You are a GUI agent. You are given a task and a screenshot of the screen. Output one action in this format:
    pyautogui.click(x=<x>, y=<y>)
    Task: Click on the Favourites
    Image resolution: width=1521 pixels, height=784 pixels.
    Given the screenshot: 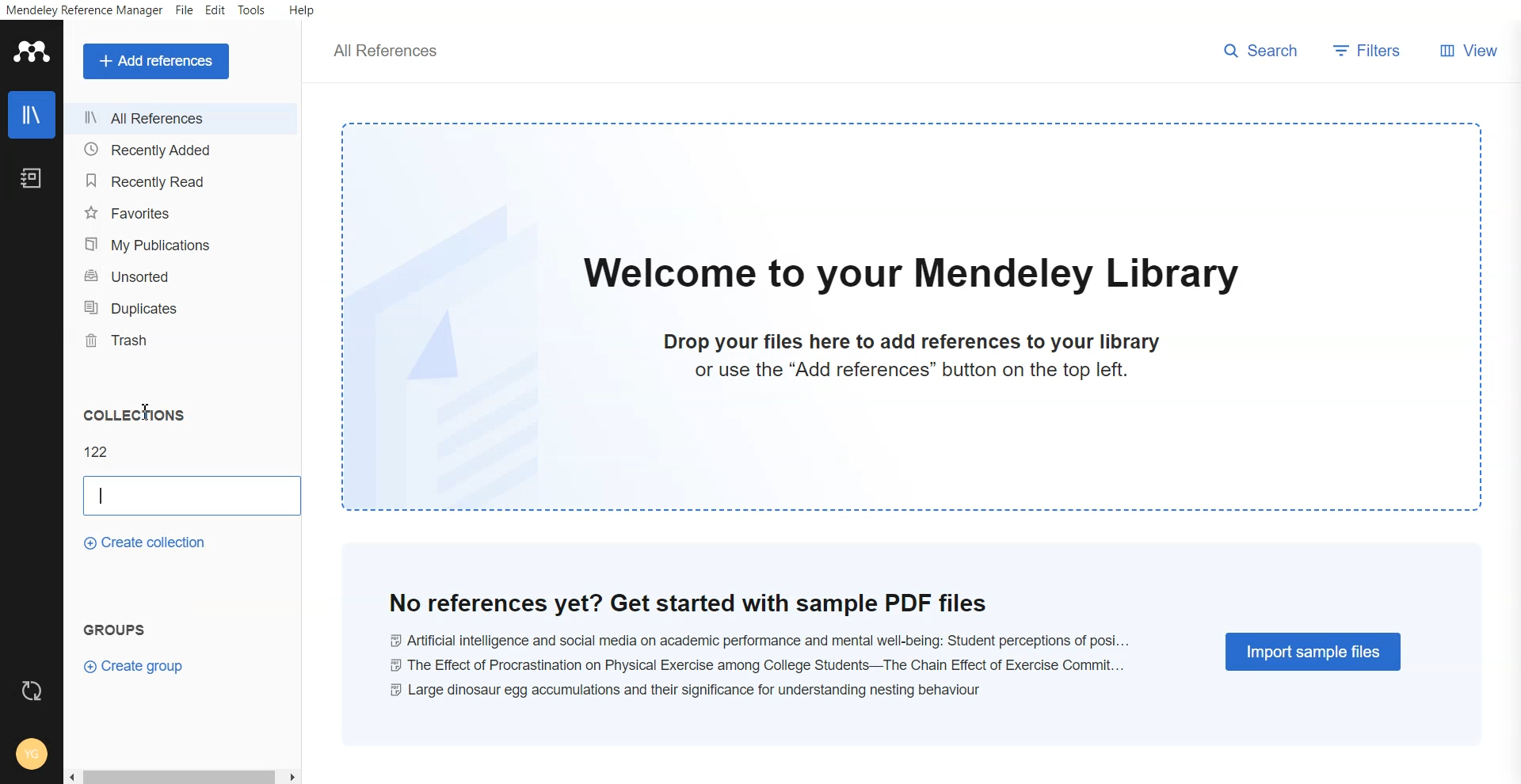 What is the action you would take?
    pyautogui.click(x=183, y=213)
    